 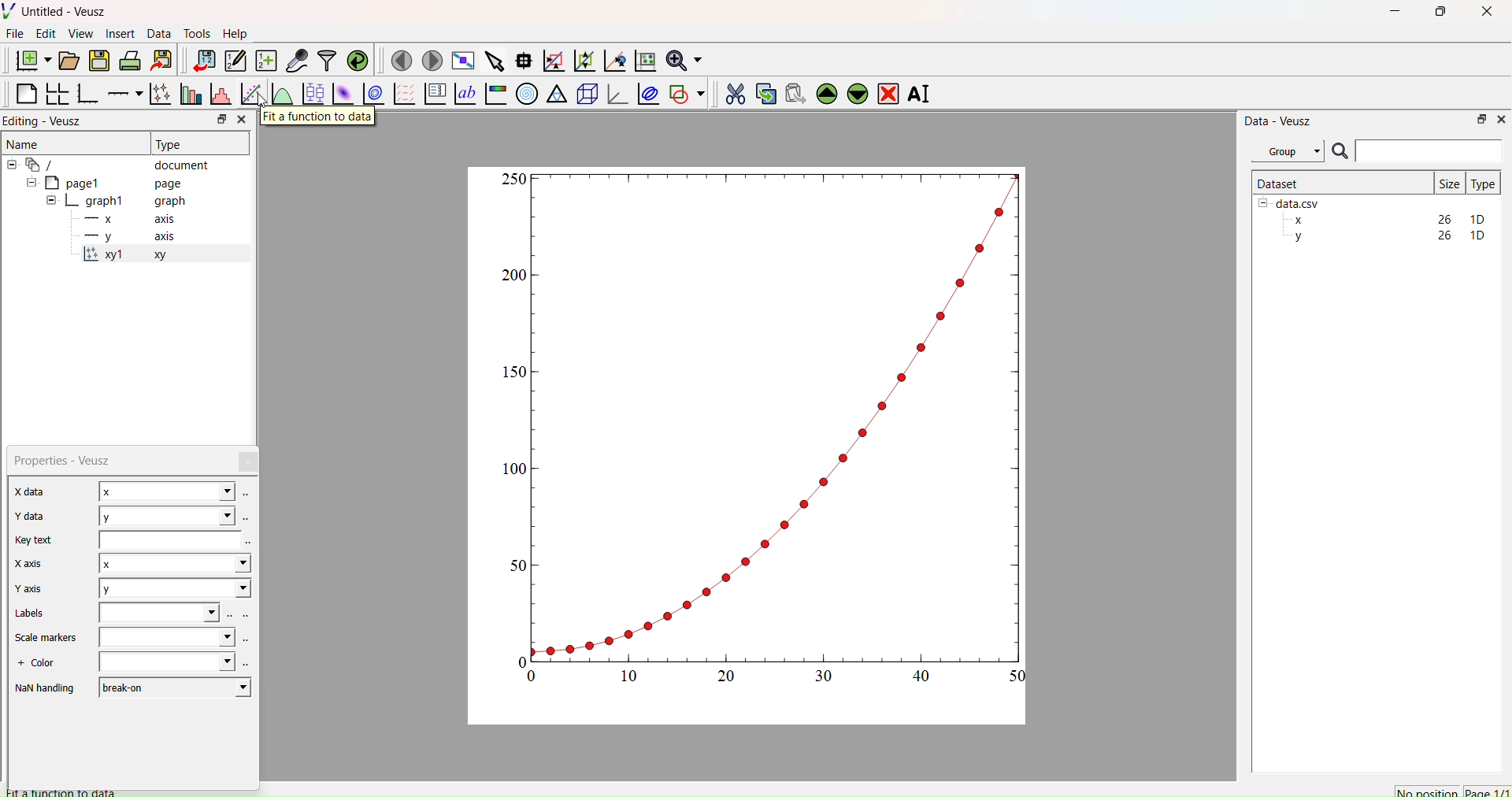 I want to click on Cursor, so click(x=262, y=101).